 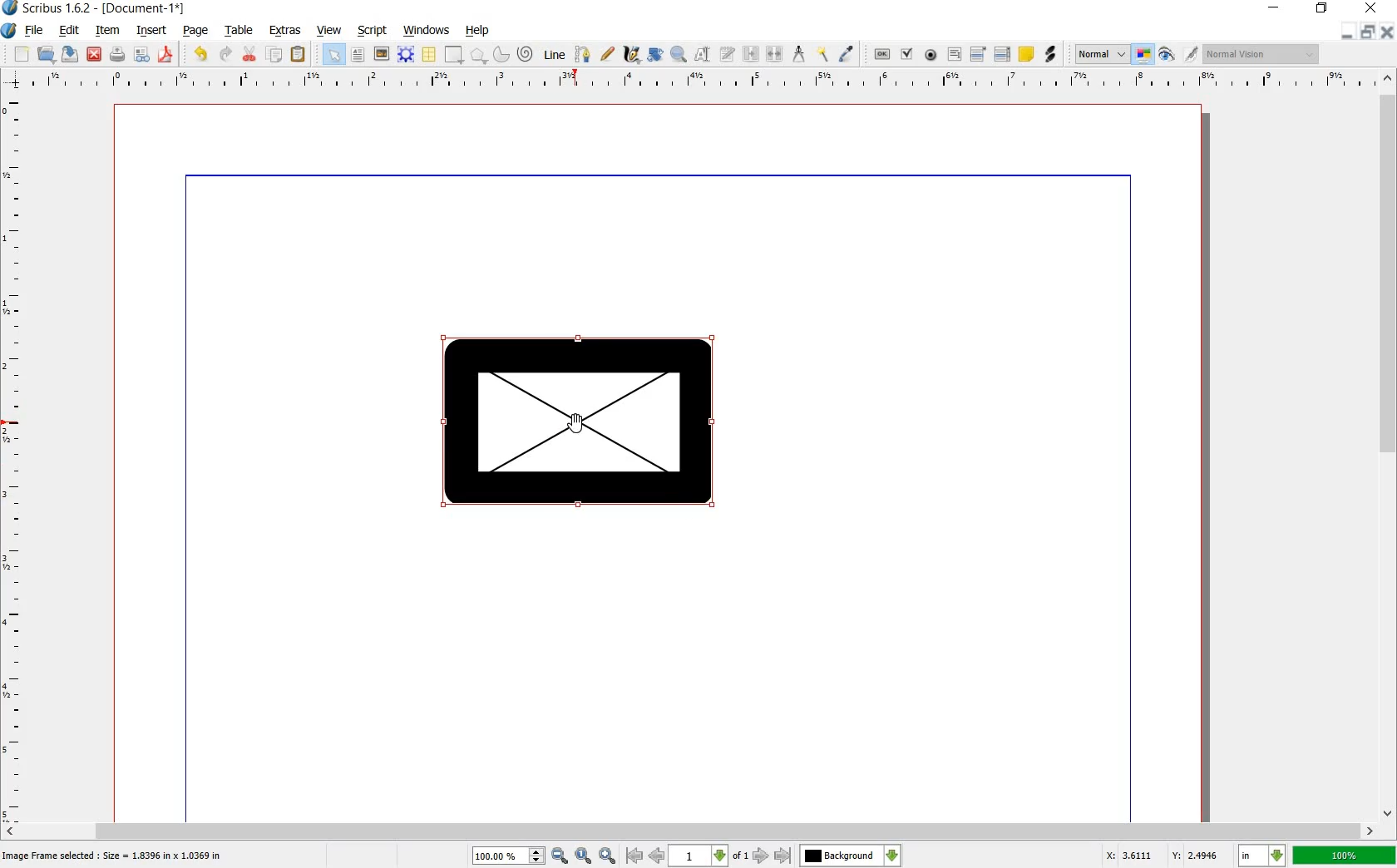 What do you see at coordinates (1322, 8) in the screenshot?
I see `restore` at bounding box center [1322, 8].